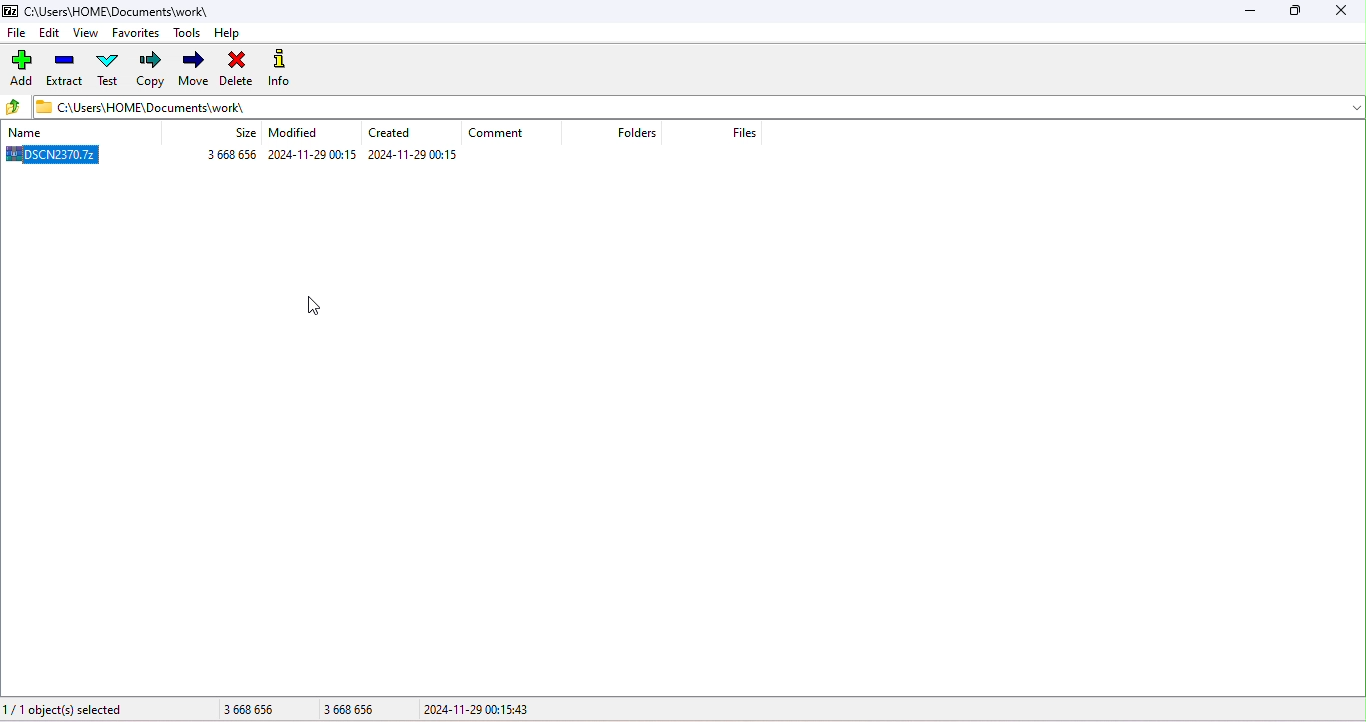 This screenshot has height=722, width=1366. I want to click on file path, so click(164, 109).